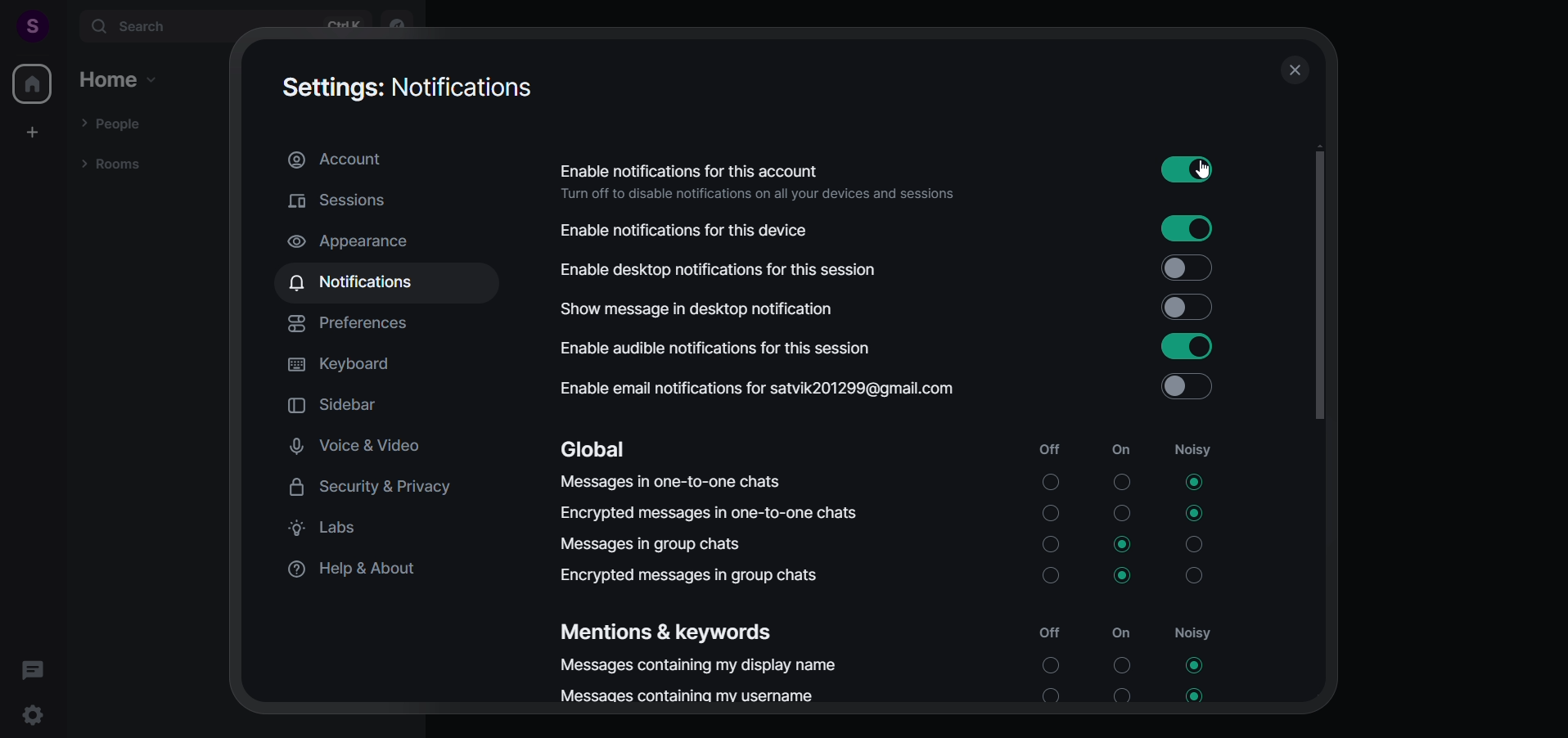 This screenshot has width=1568, height=738. What do you see at coordinates (893, 512) in the screenshot?
I see `encrypted message in one to one chat` at bounding box center [893, 512].